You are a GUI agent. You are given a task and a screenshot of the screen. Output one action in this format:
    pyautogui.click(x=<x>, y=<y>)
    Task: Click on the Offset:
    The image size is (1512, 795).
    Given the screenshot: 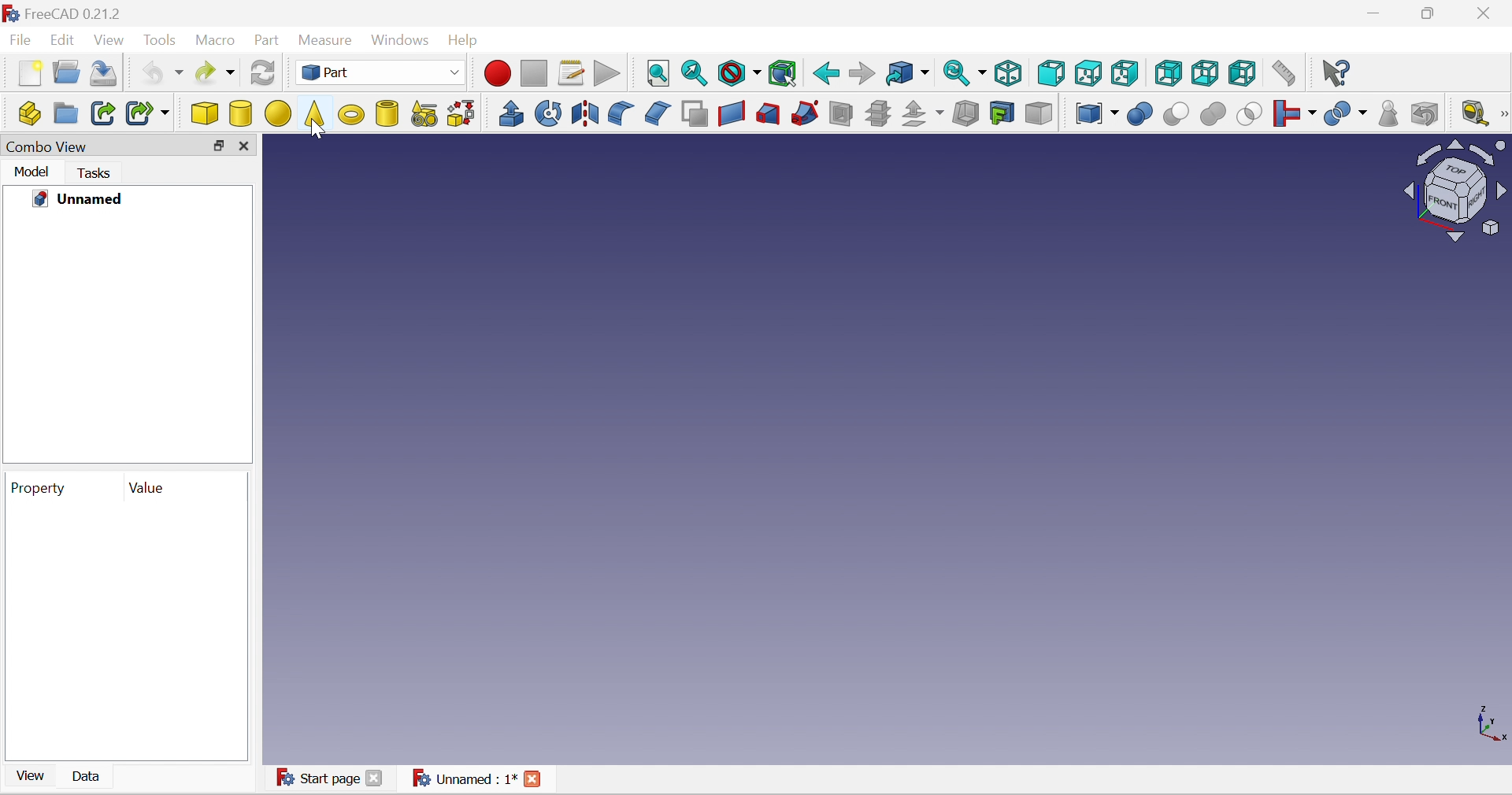 What is the action you would take?
    pyautogui.click(x=922, y=114)
    